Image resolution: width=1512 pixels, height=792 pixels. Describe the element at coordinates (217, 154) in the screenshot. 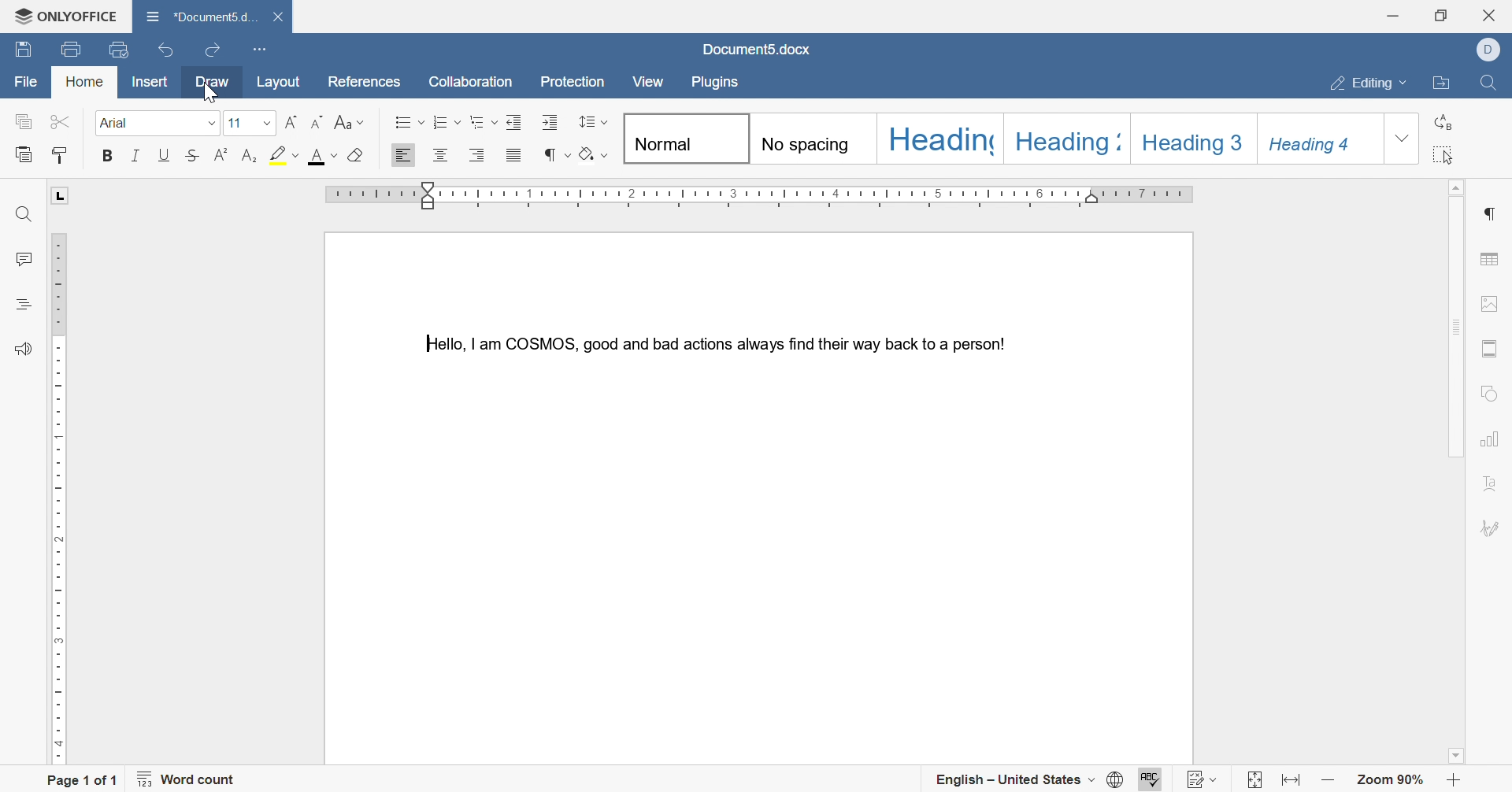

I see `superscript` at that location.